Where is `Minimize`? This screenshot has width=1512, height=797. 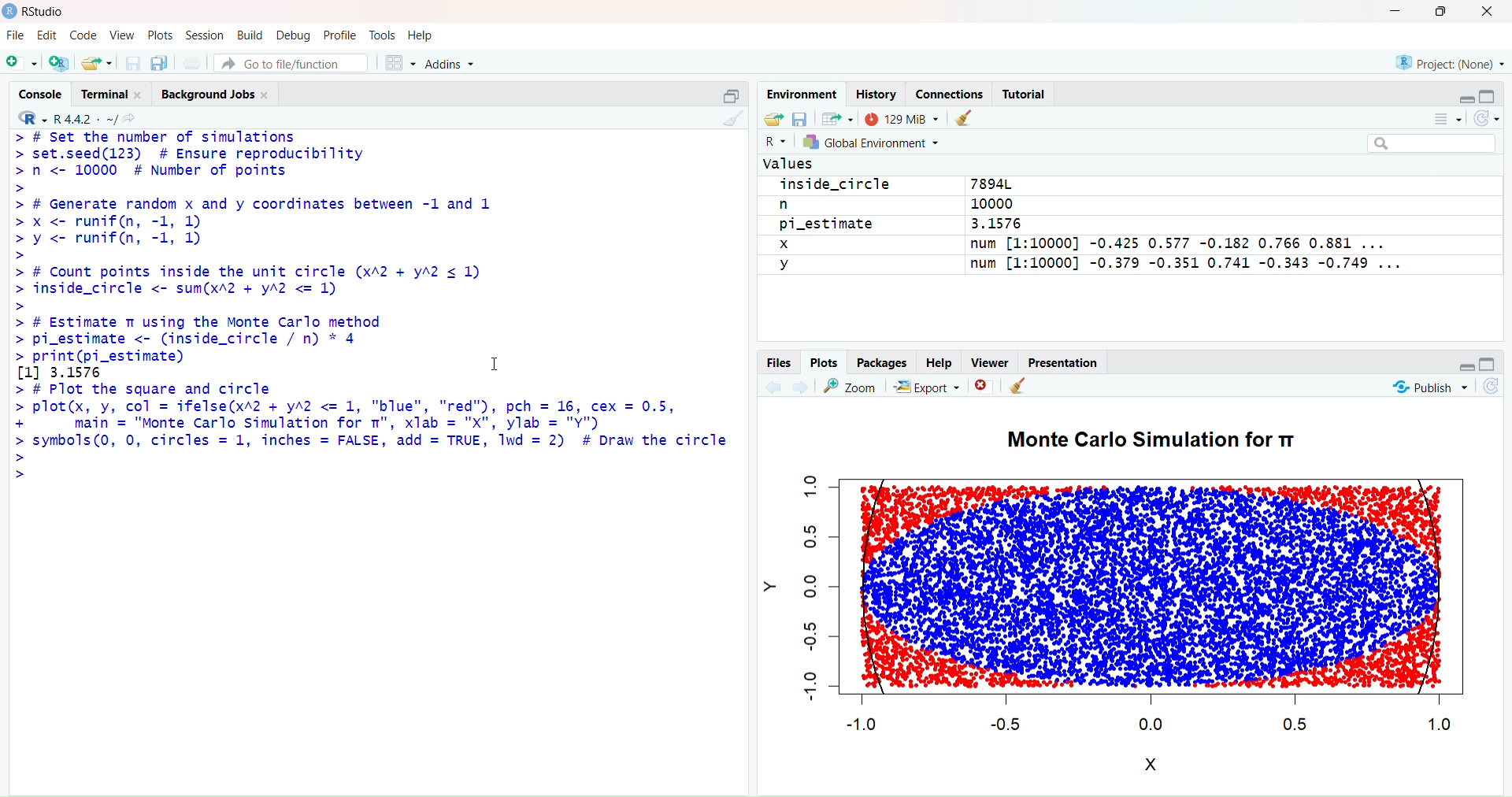 Minimize is located at coordinates (1460, 365).